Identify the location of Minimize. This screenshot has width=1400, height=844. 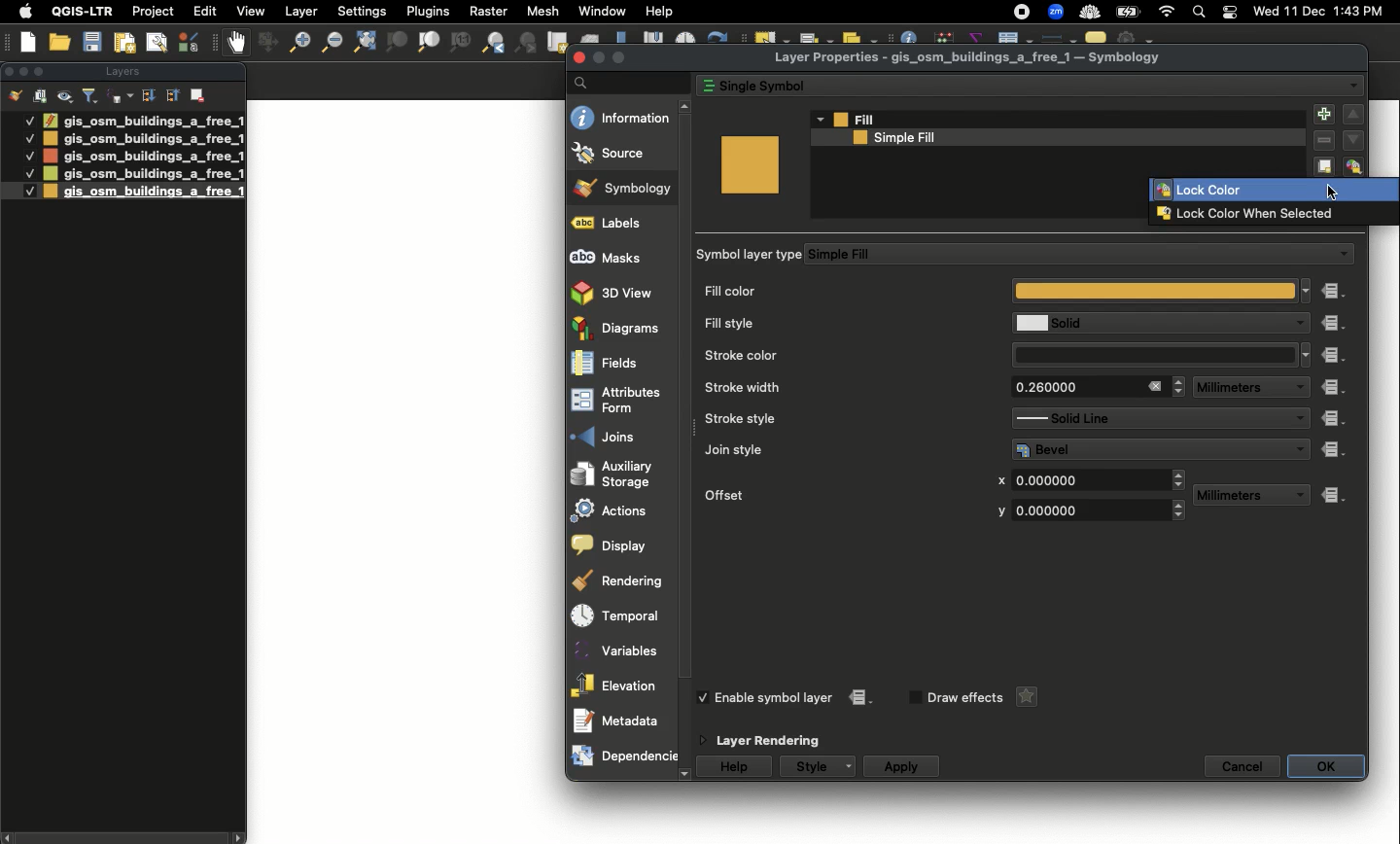
(598, 57).